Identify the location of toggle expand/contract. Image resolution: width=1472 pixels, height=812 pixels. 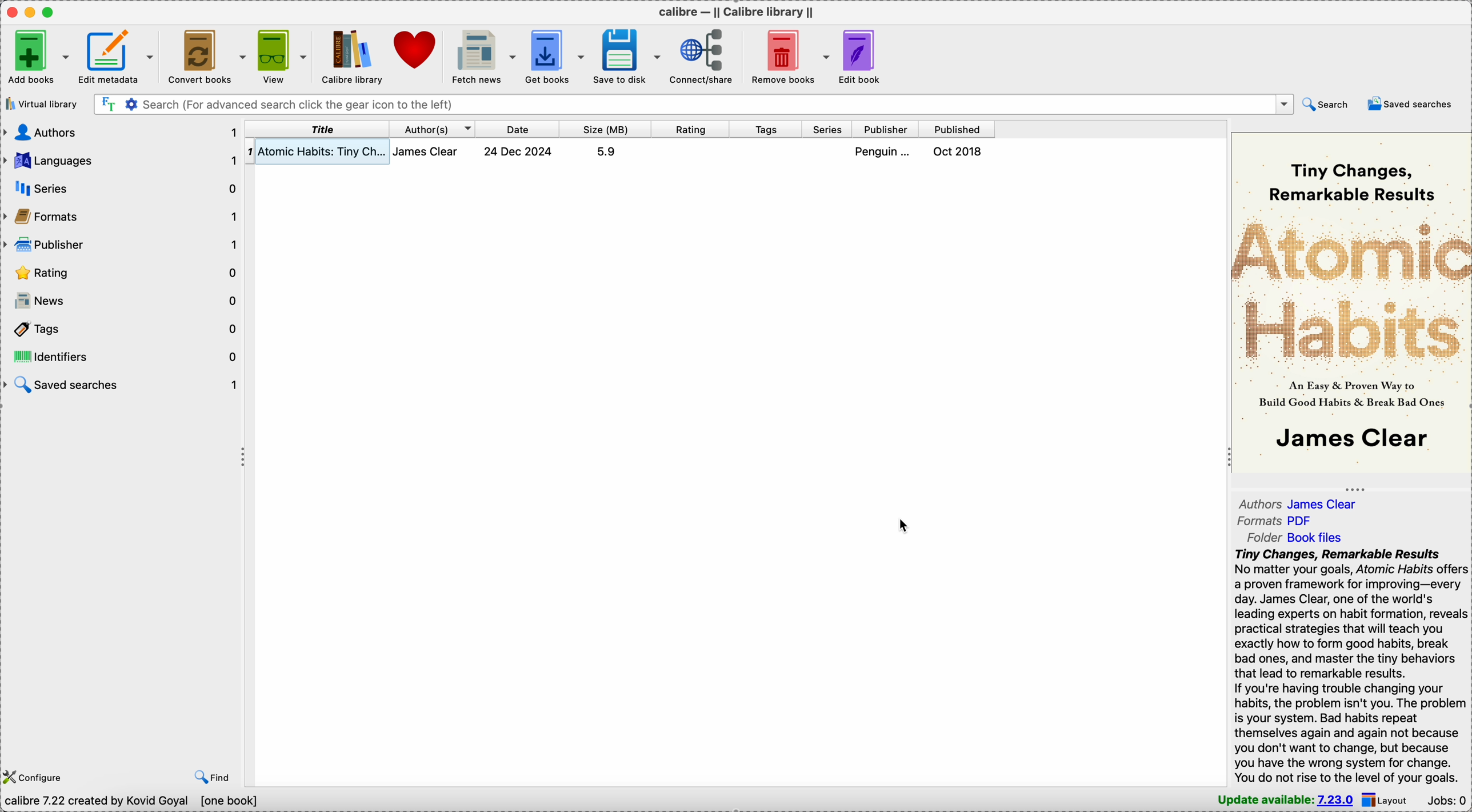
(1355, 489).